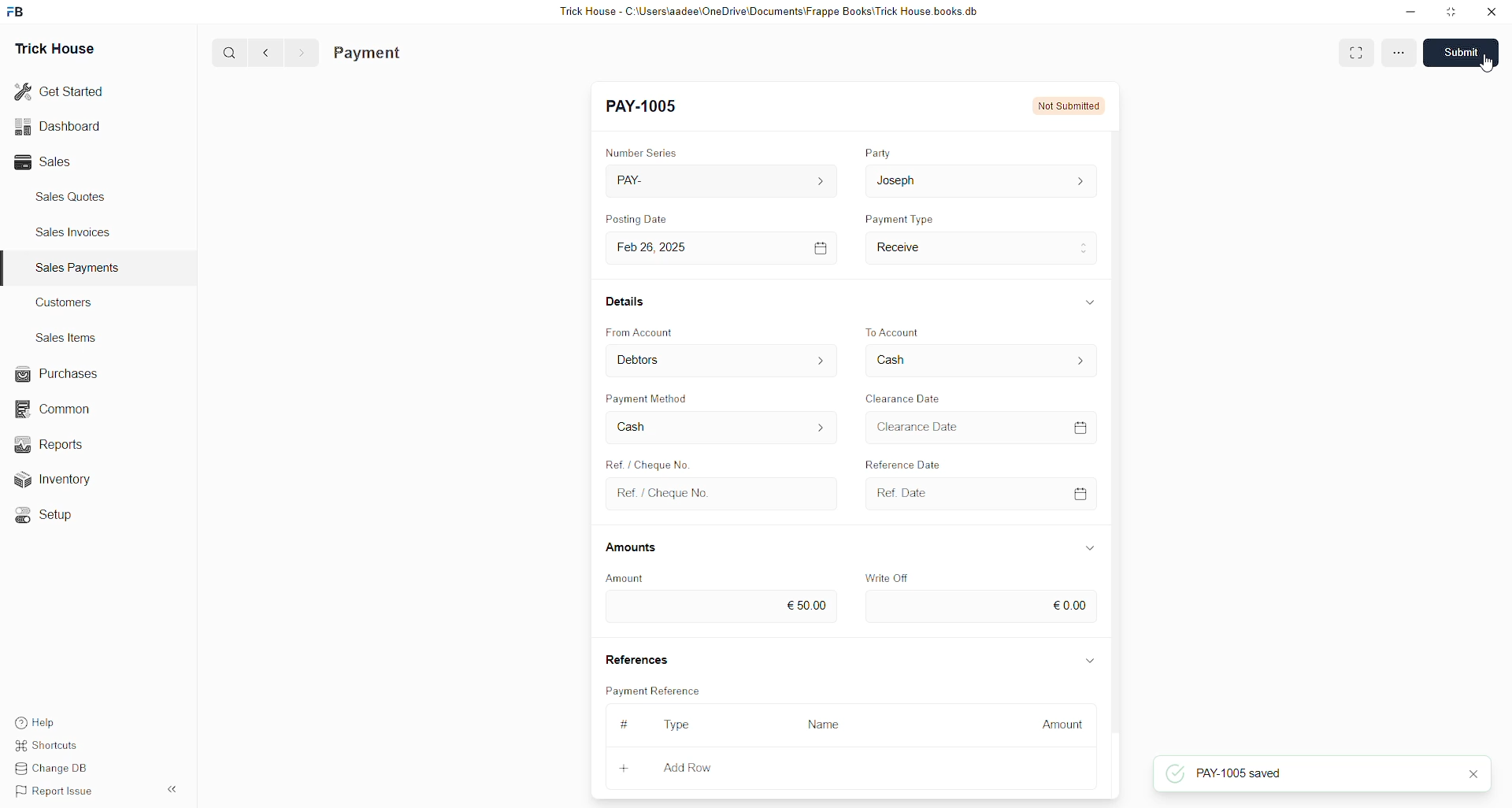 The width and height of the screenshot is (1512, 808). I want to click on Hide sidebar, so click(172, 789).